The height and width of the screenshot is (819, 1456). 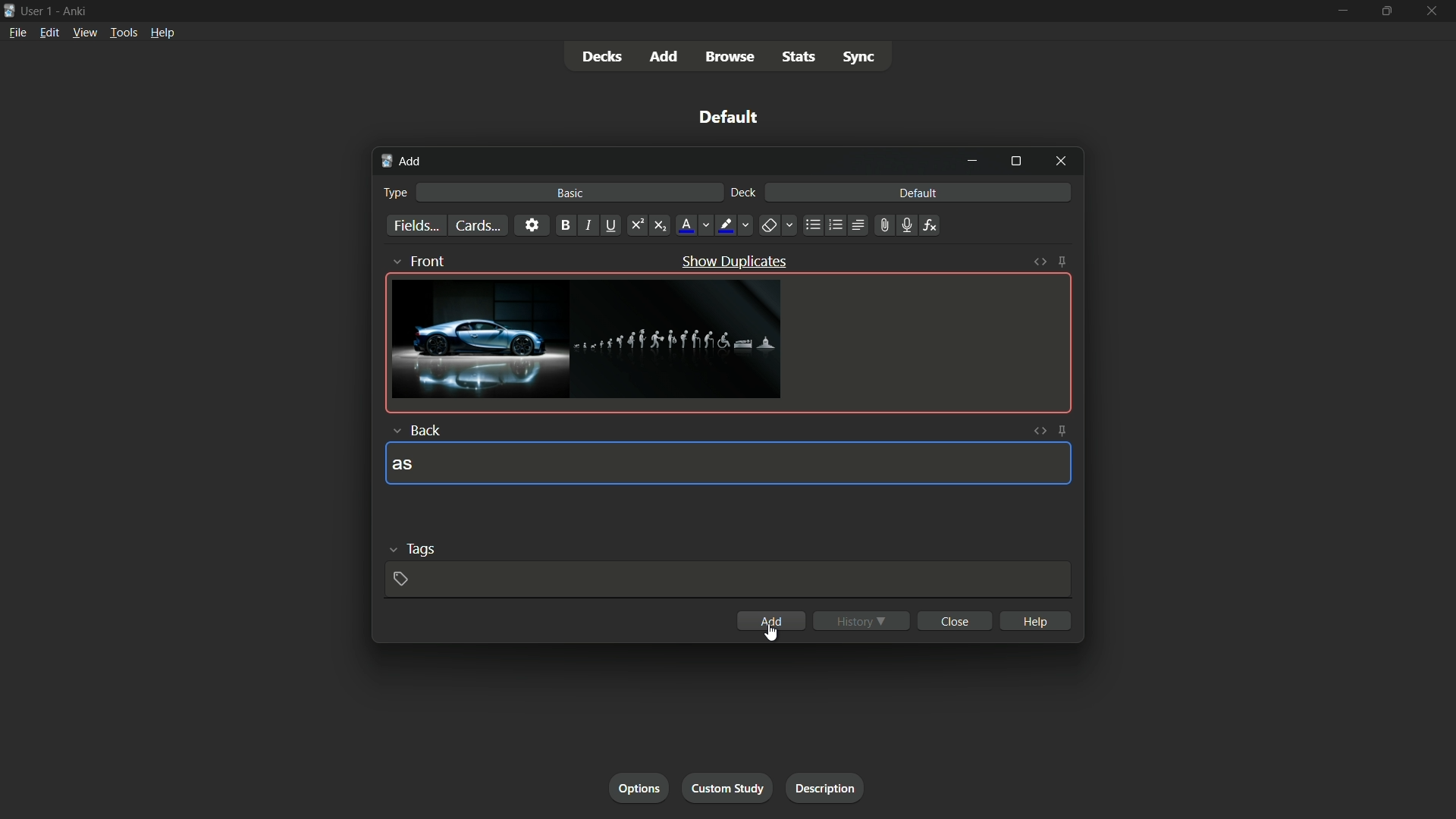 What do you see at coordinates (679, 340) in the screenshot?
I see `second image added` at bounding box center [679, 340].